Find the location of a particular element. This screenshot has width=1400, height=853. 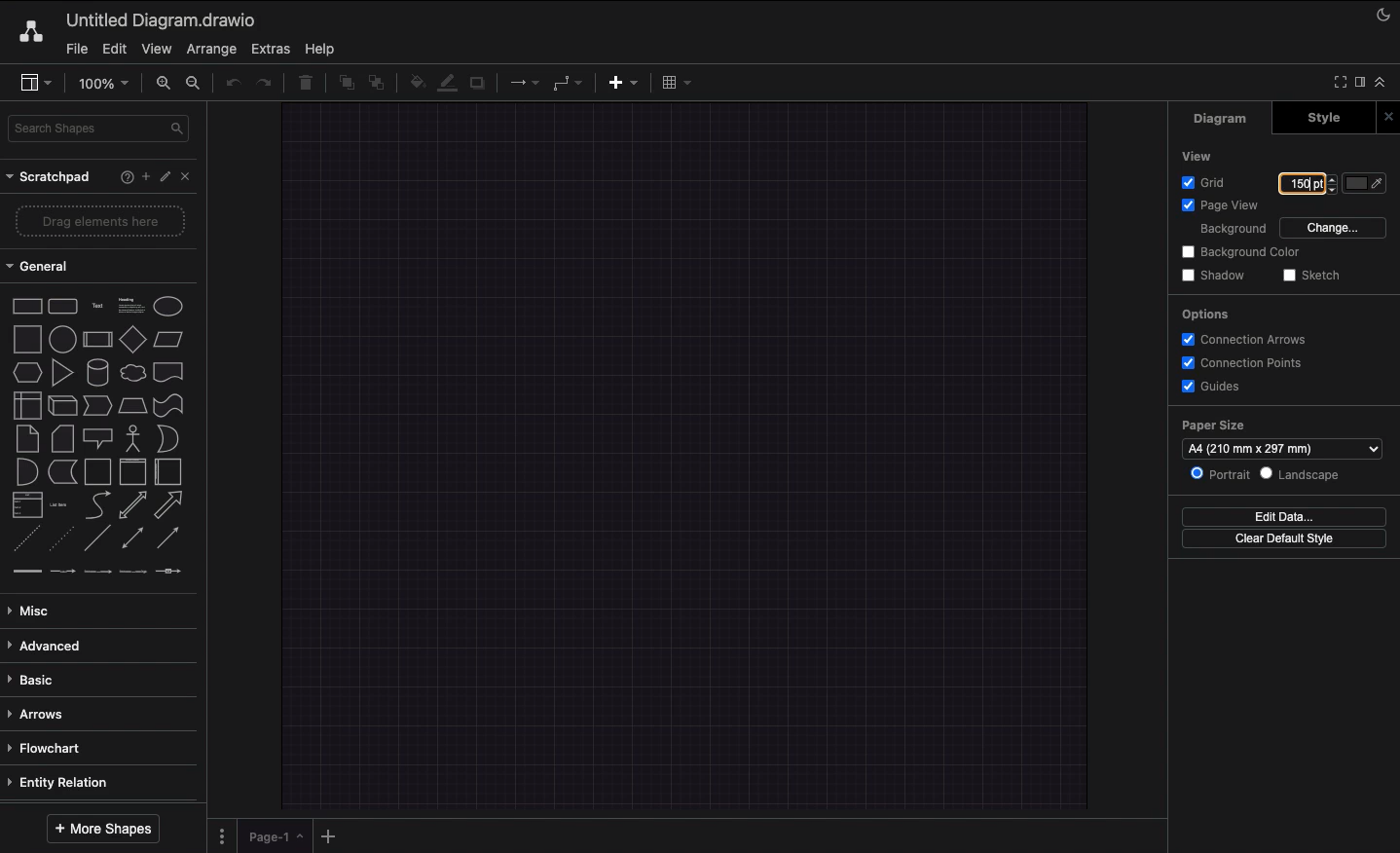

Trash is located at coordinates (306, 85).